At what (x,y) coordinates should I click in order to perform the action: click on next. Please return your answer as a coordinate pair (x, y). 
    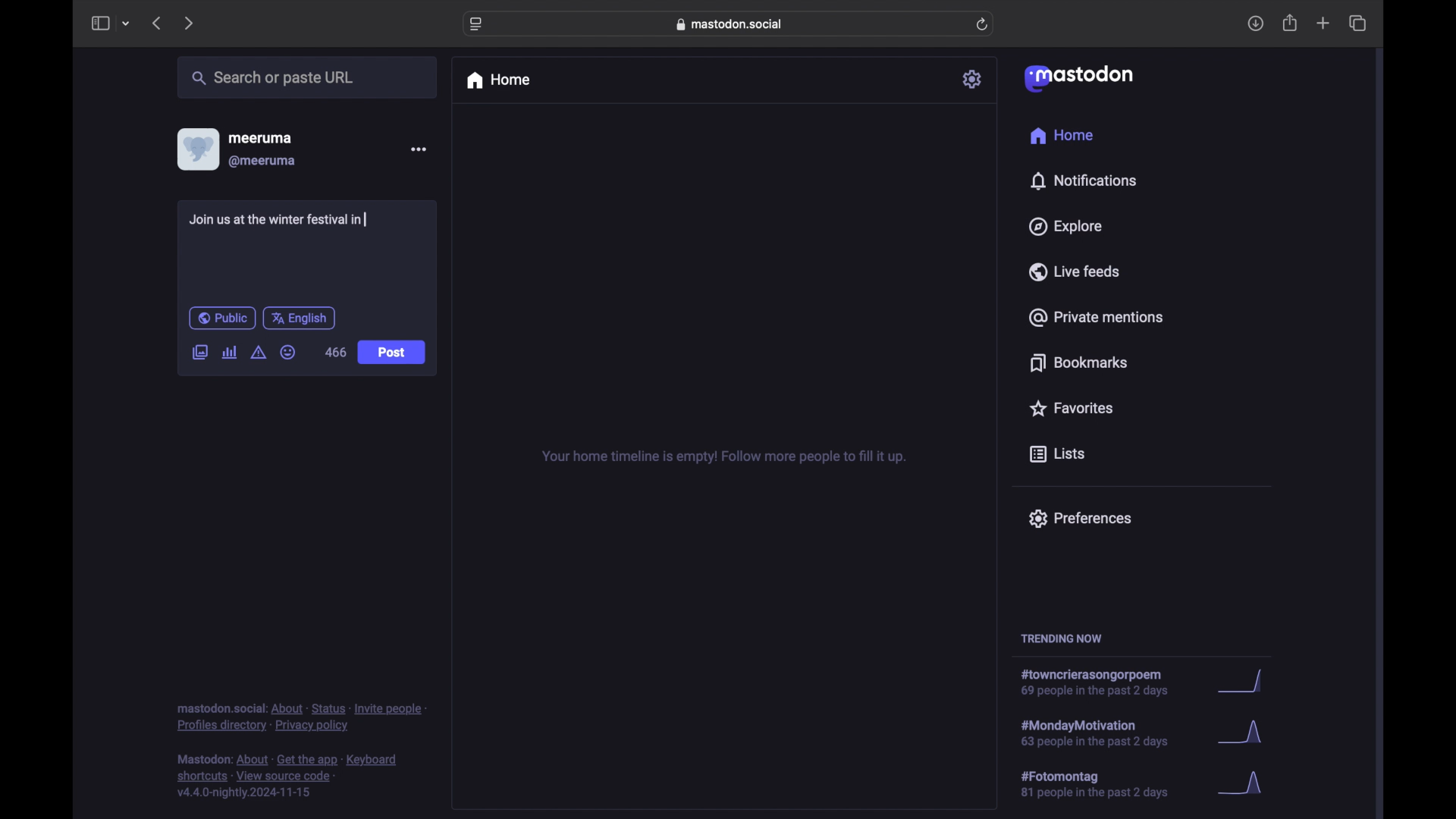
    Looking at the image, I should click on (190, 23).